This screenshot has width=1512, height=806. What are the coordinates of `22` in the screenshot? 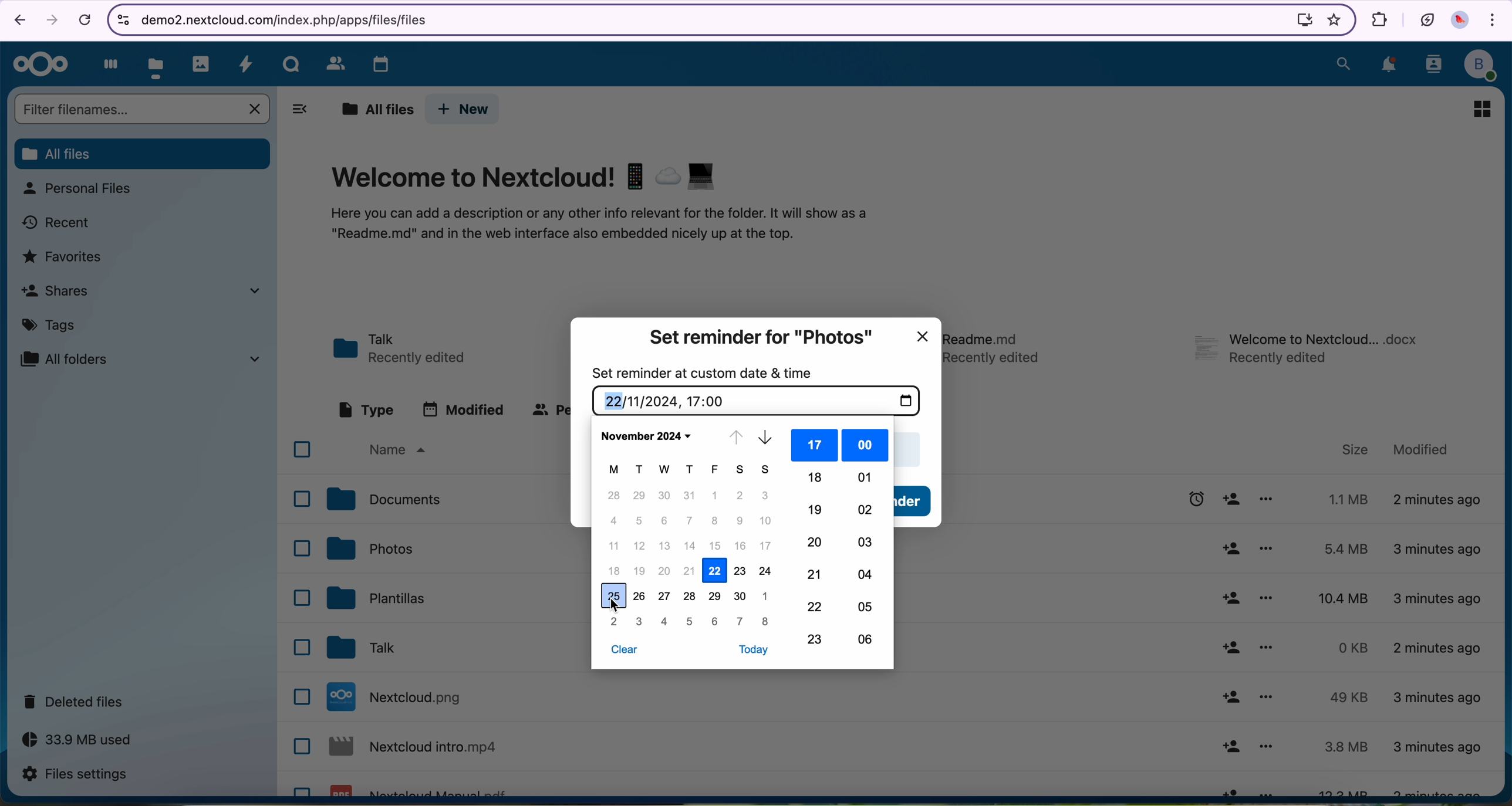 It's located at (818, 607).